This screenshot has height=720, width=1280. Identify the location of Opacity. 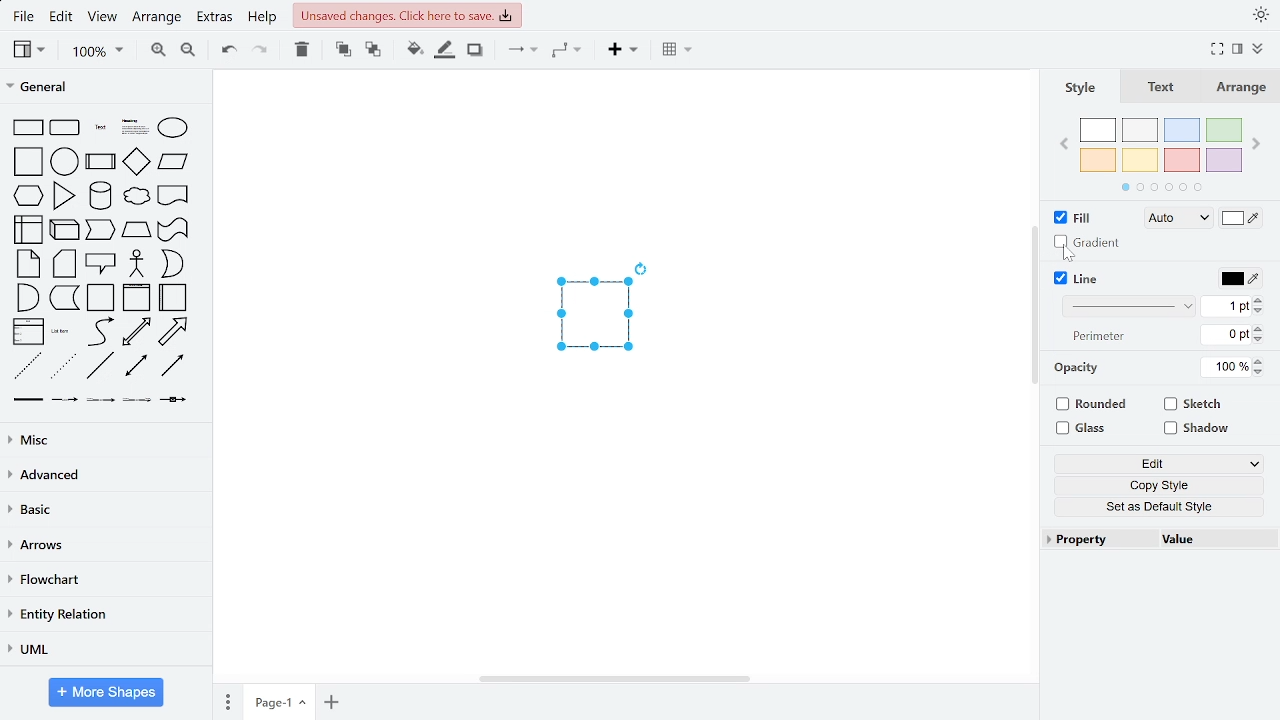
(1076, 369).